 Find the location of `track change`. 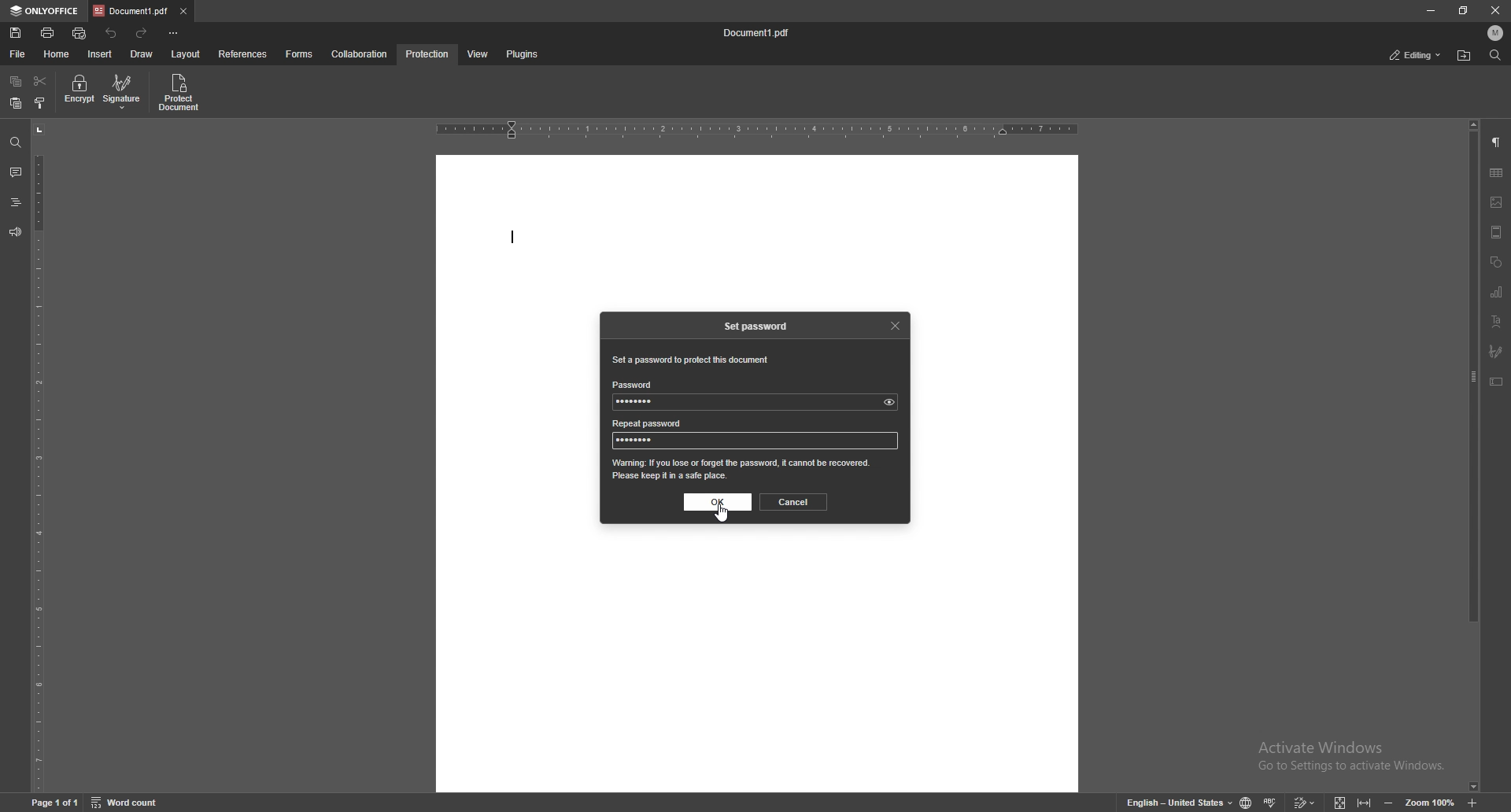

track change is located at coordinates (1306, 802).